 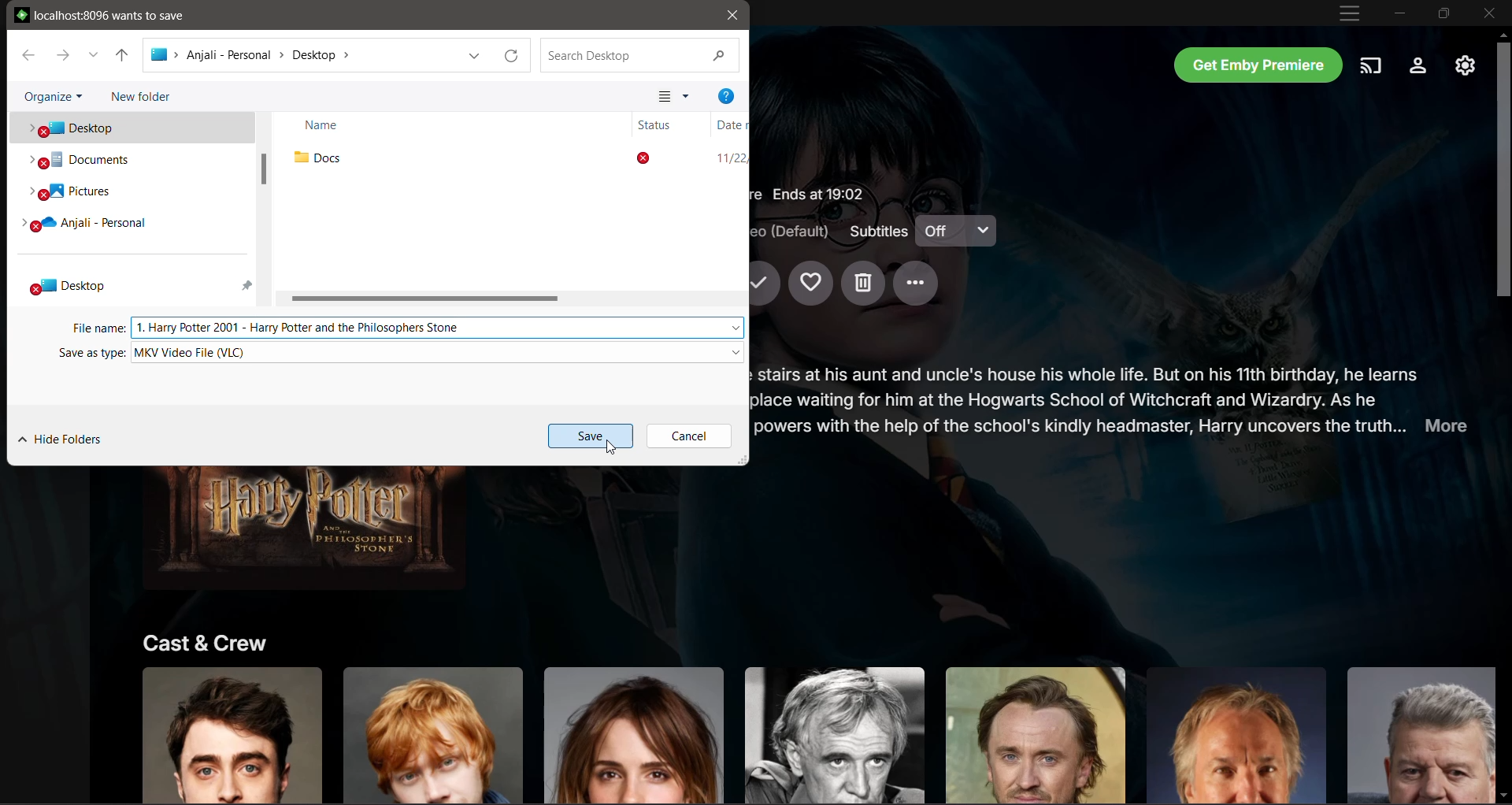 I want to click on Desktop, so click(x=128, y=128).